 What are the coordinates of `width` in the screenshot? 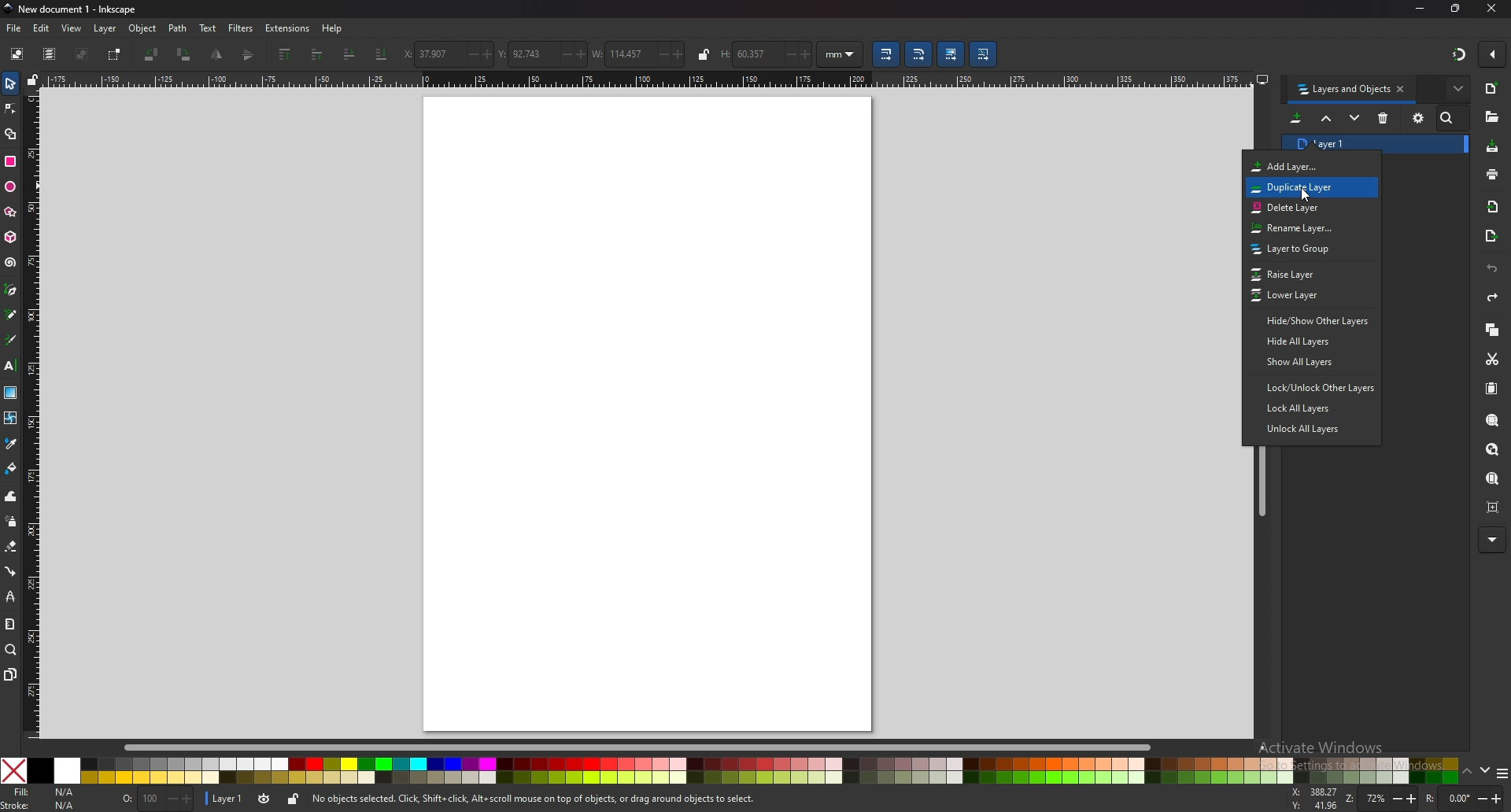 It's located at (619, 55).